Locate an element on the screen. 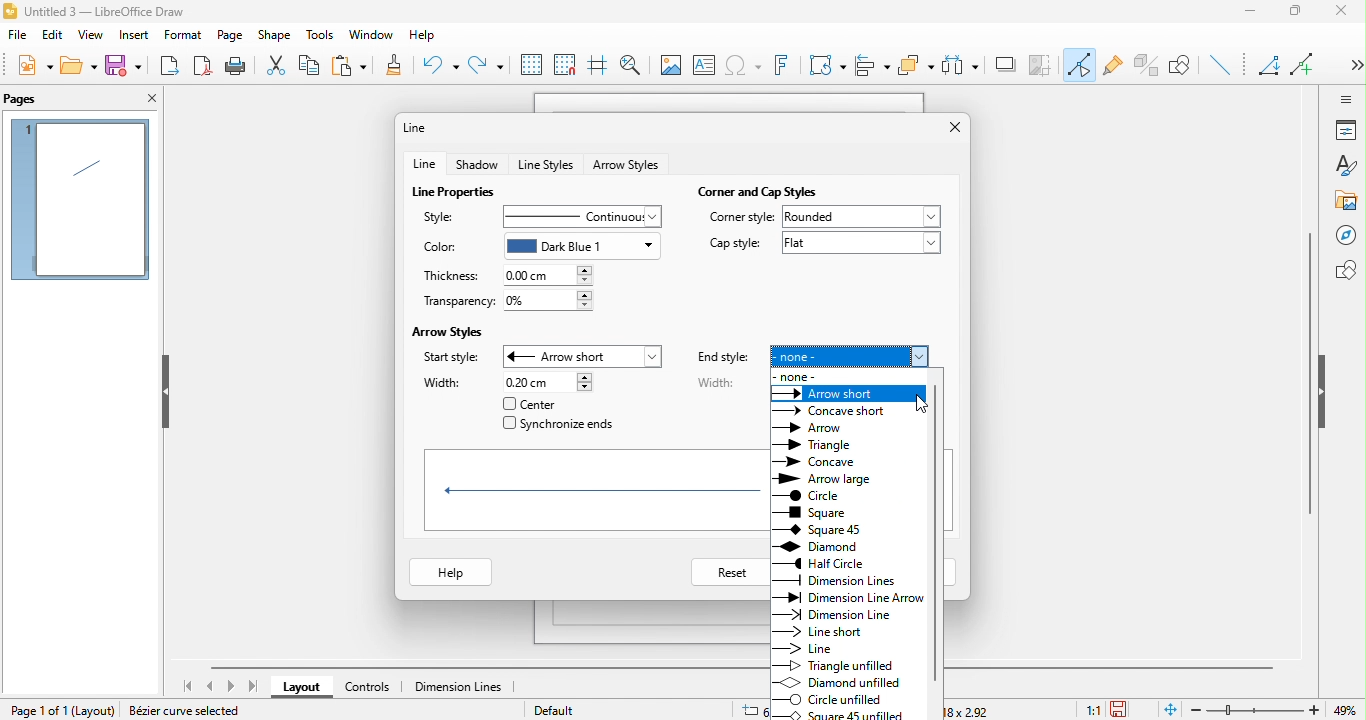 The width and height of the screenshot is (1366, 720). start style is located at coordinates (450, 357).